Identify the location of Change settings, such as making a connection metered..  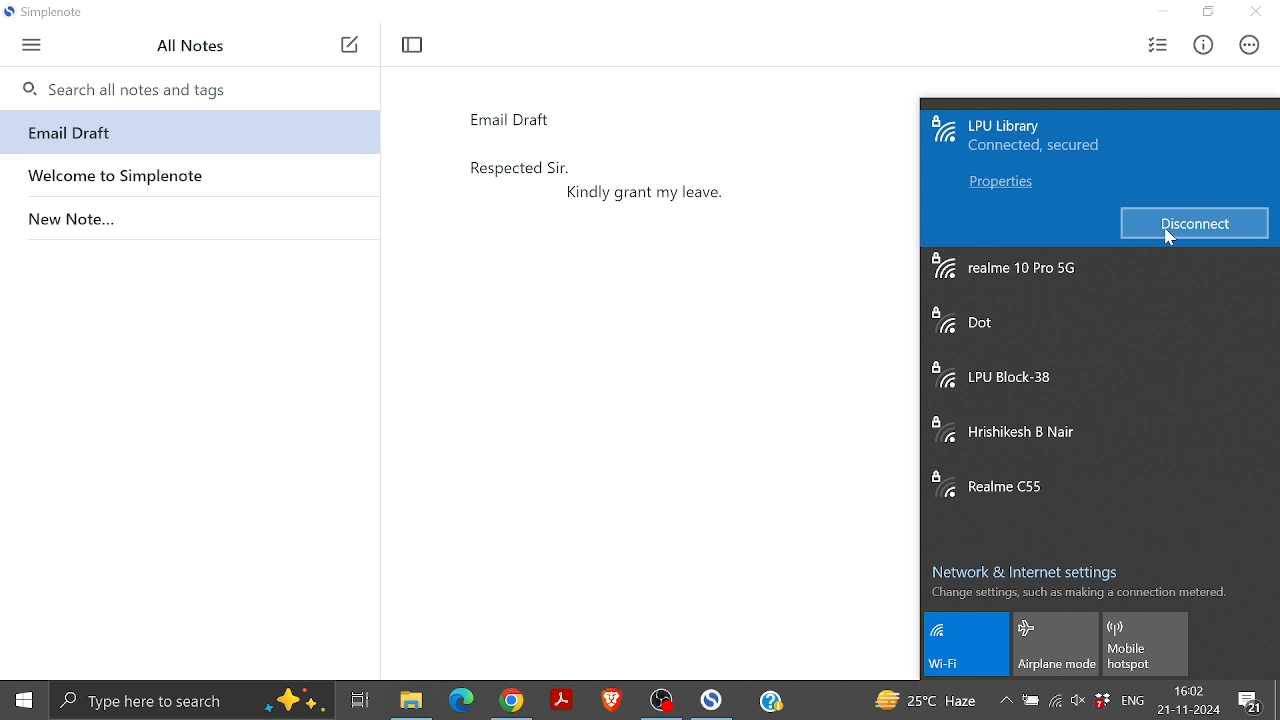
(1078, 592).